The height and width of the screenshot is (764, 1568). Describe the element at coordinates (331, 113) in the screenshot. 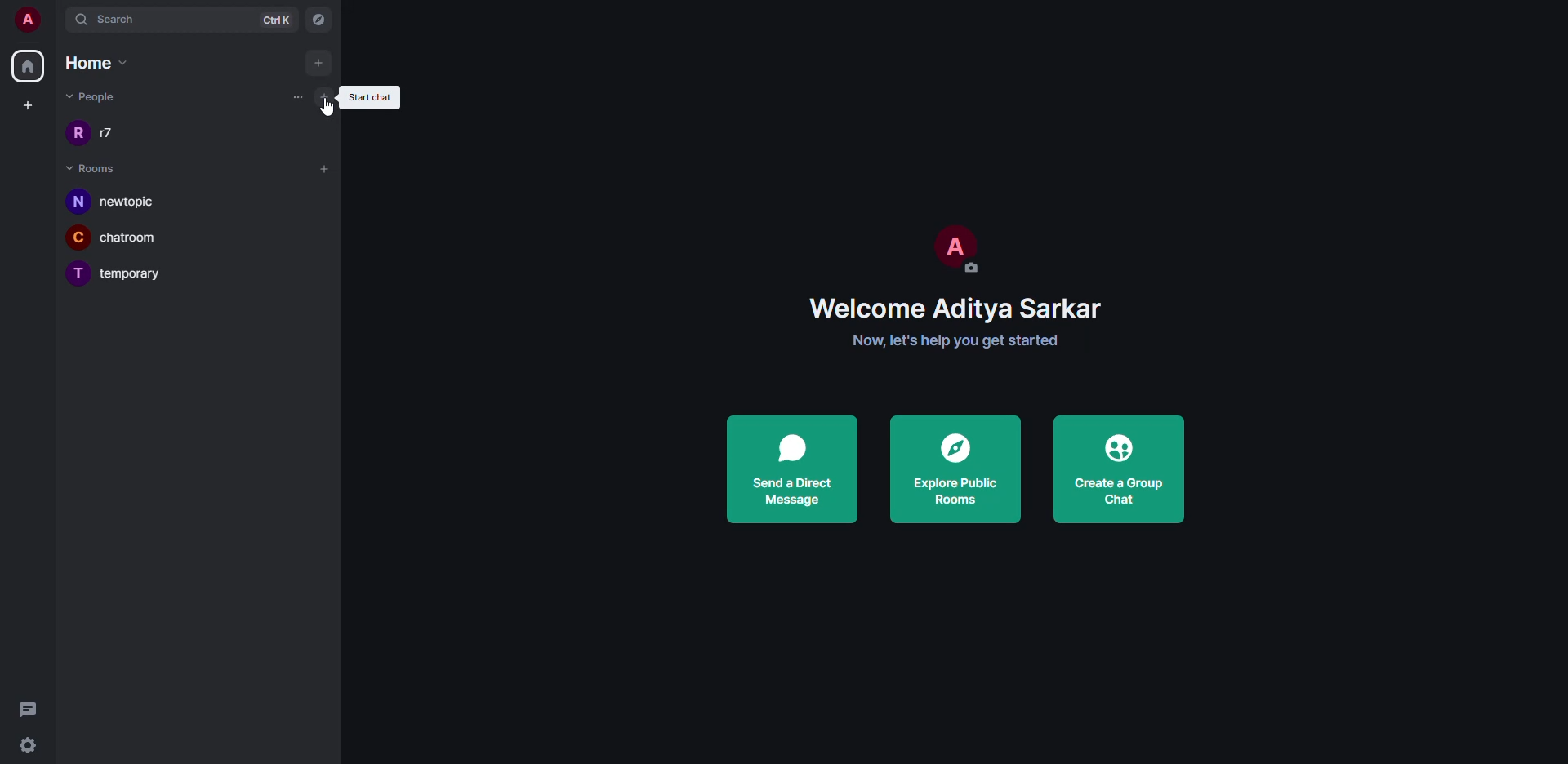

I see `cursor` at that location.